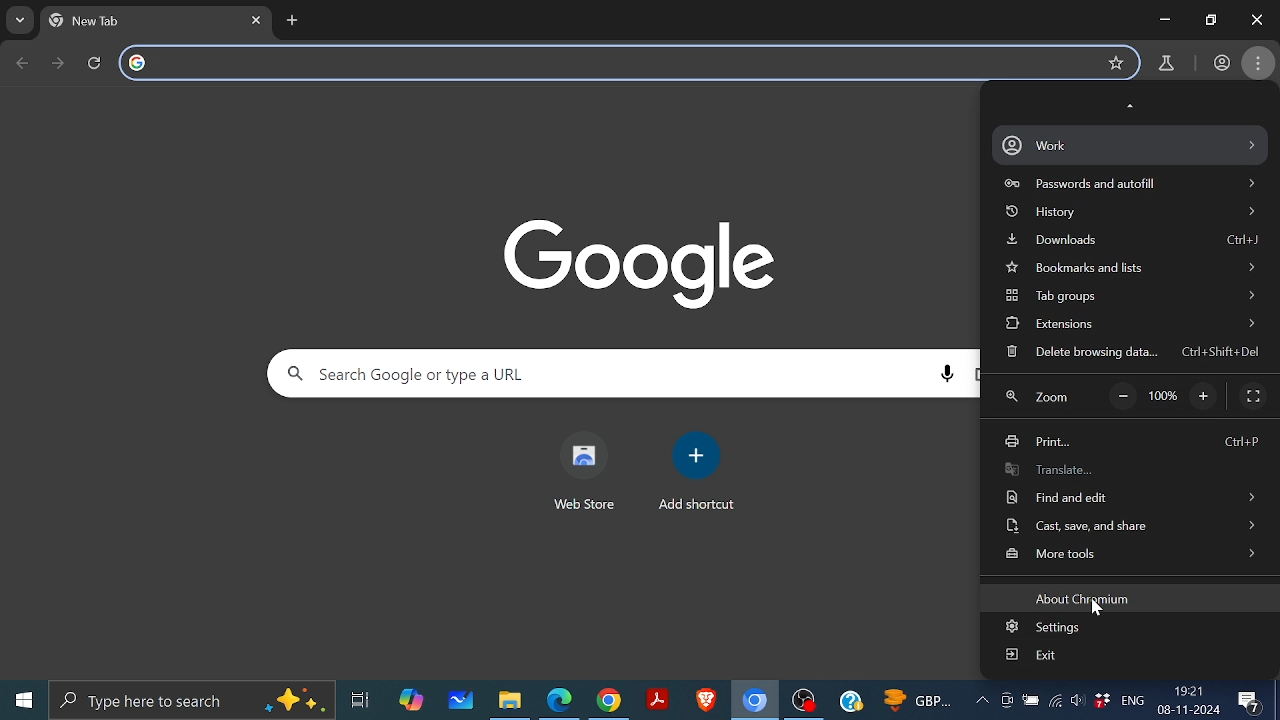 The height and width of the screenshot is (720, 1280). What do you see at coordinates (1126, 469) in the screenshot?
I see `Translate` at bounding box center [1126, 469].